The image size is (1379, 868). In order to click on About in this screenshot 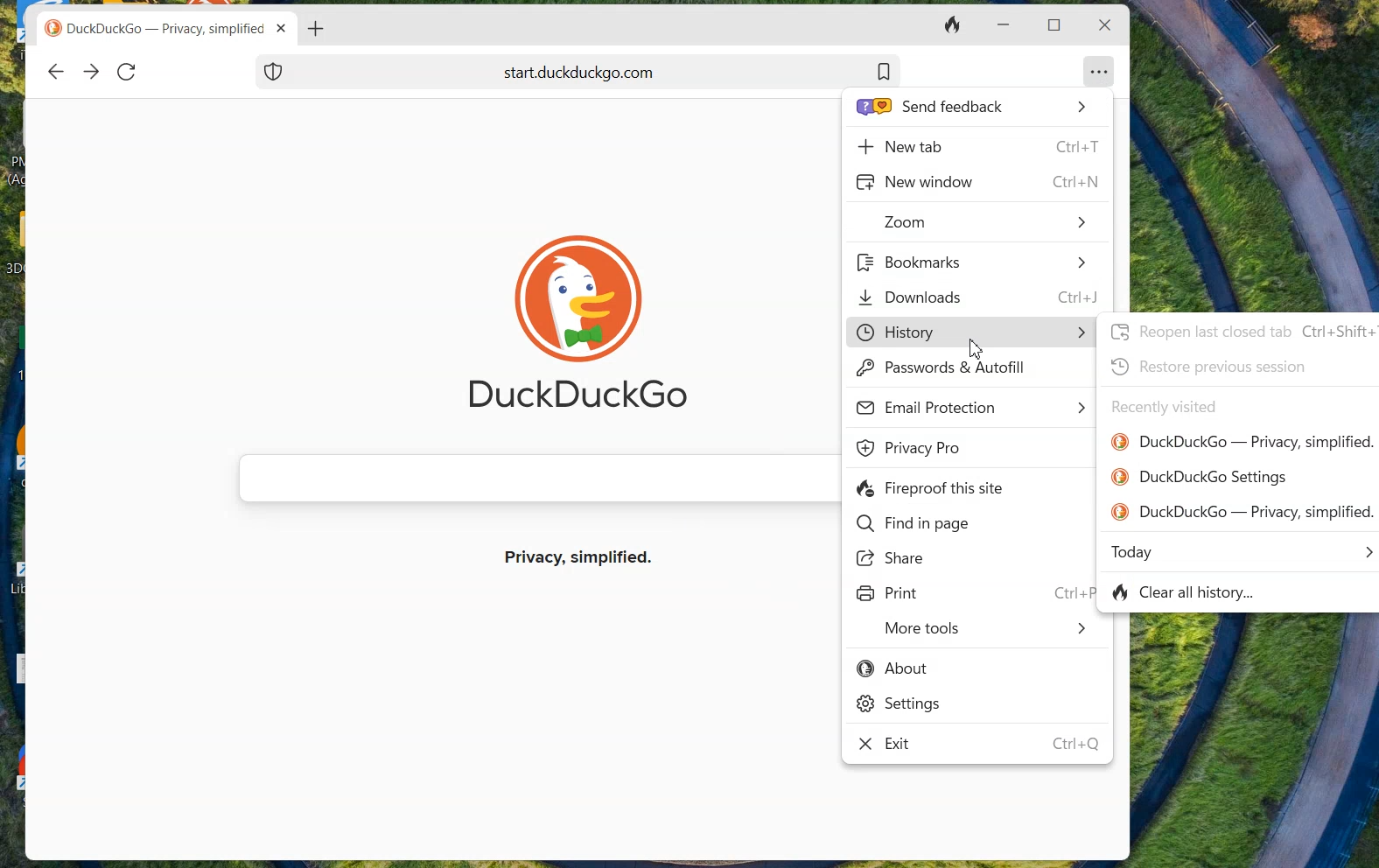, I will do `click(896, 669)`.